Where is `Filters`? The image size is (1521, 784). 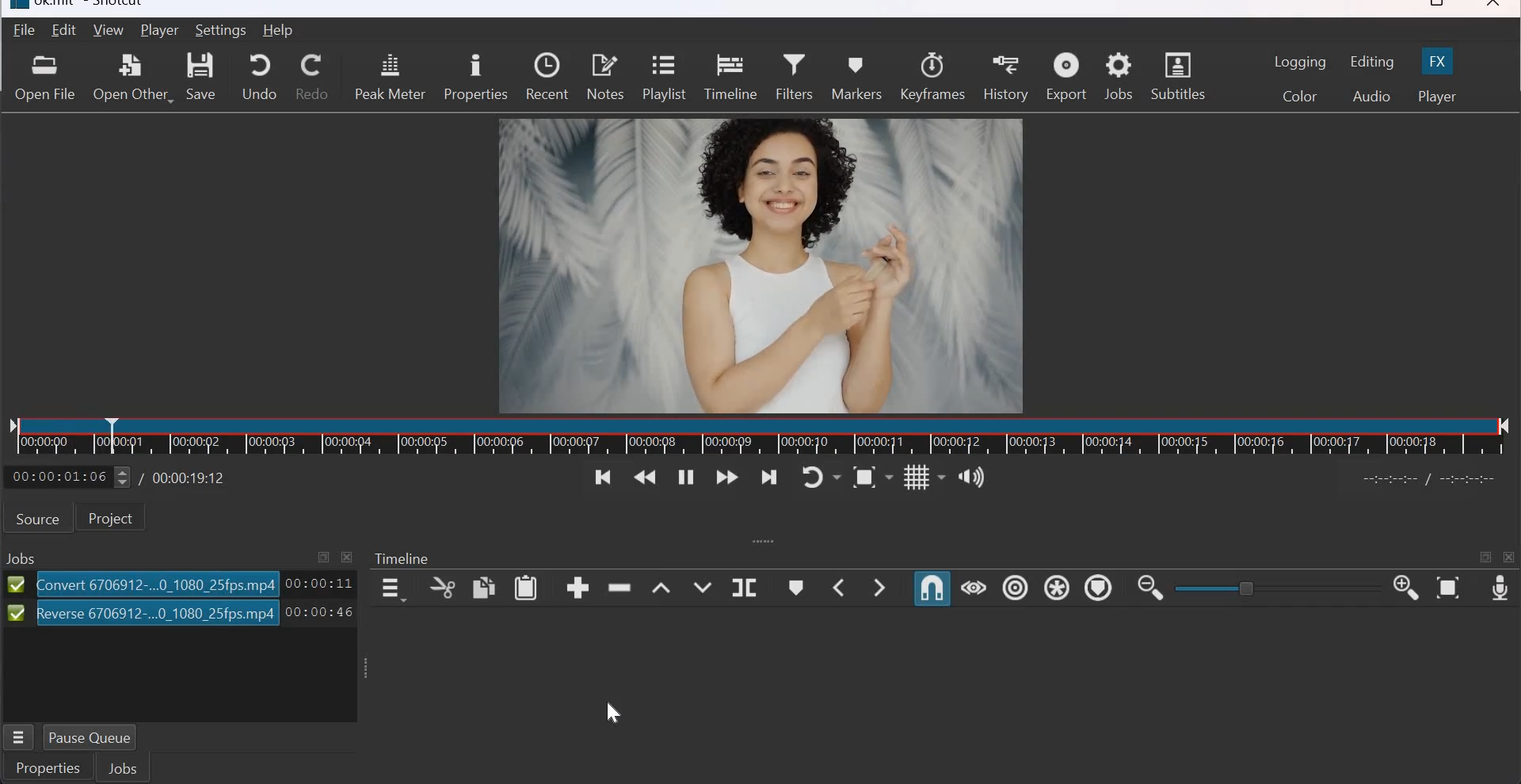 Filters is located at coordinates (794, 77).